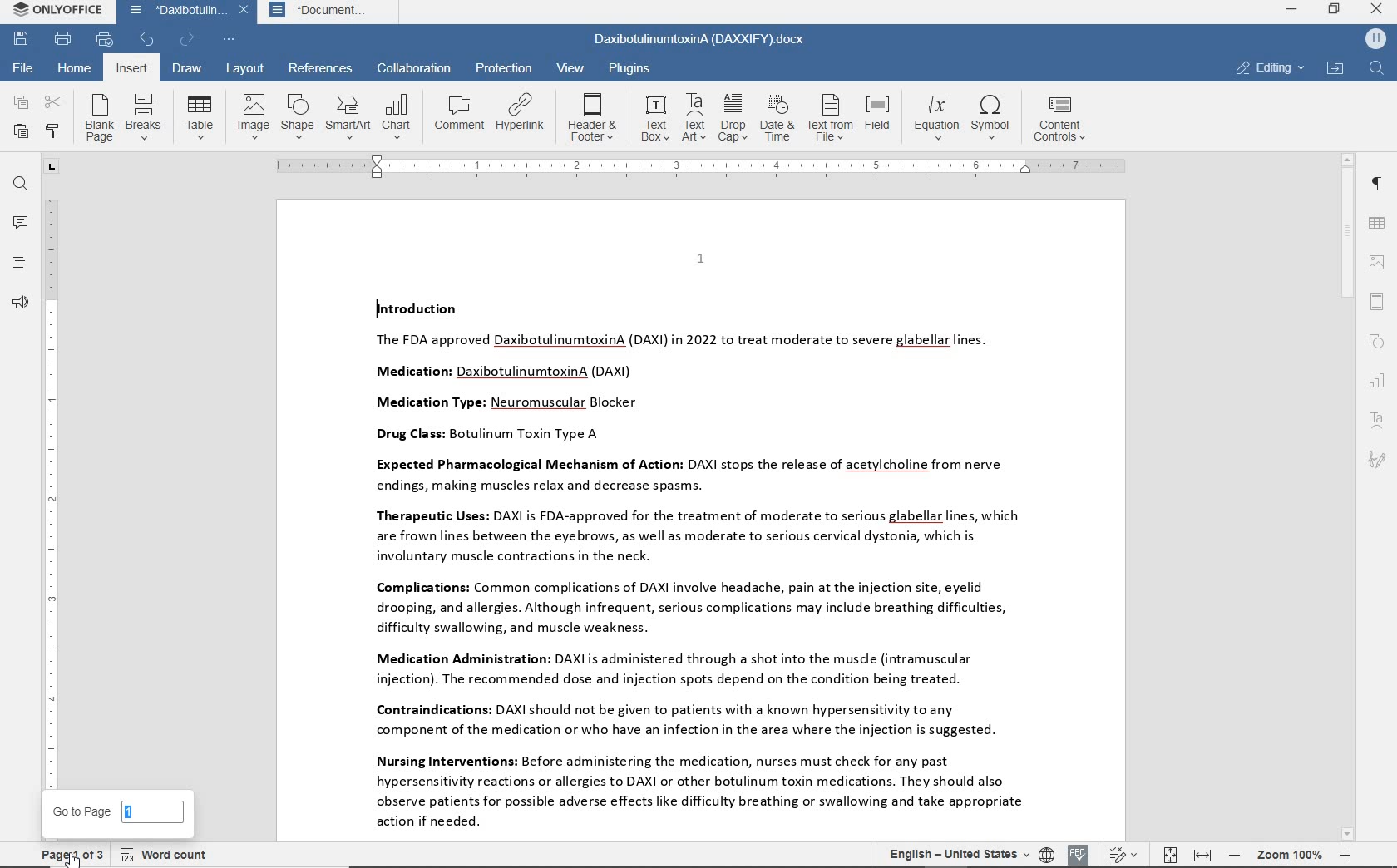 The image size is (1397, 868). I want to click on SmartArt, so click(348, 117).